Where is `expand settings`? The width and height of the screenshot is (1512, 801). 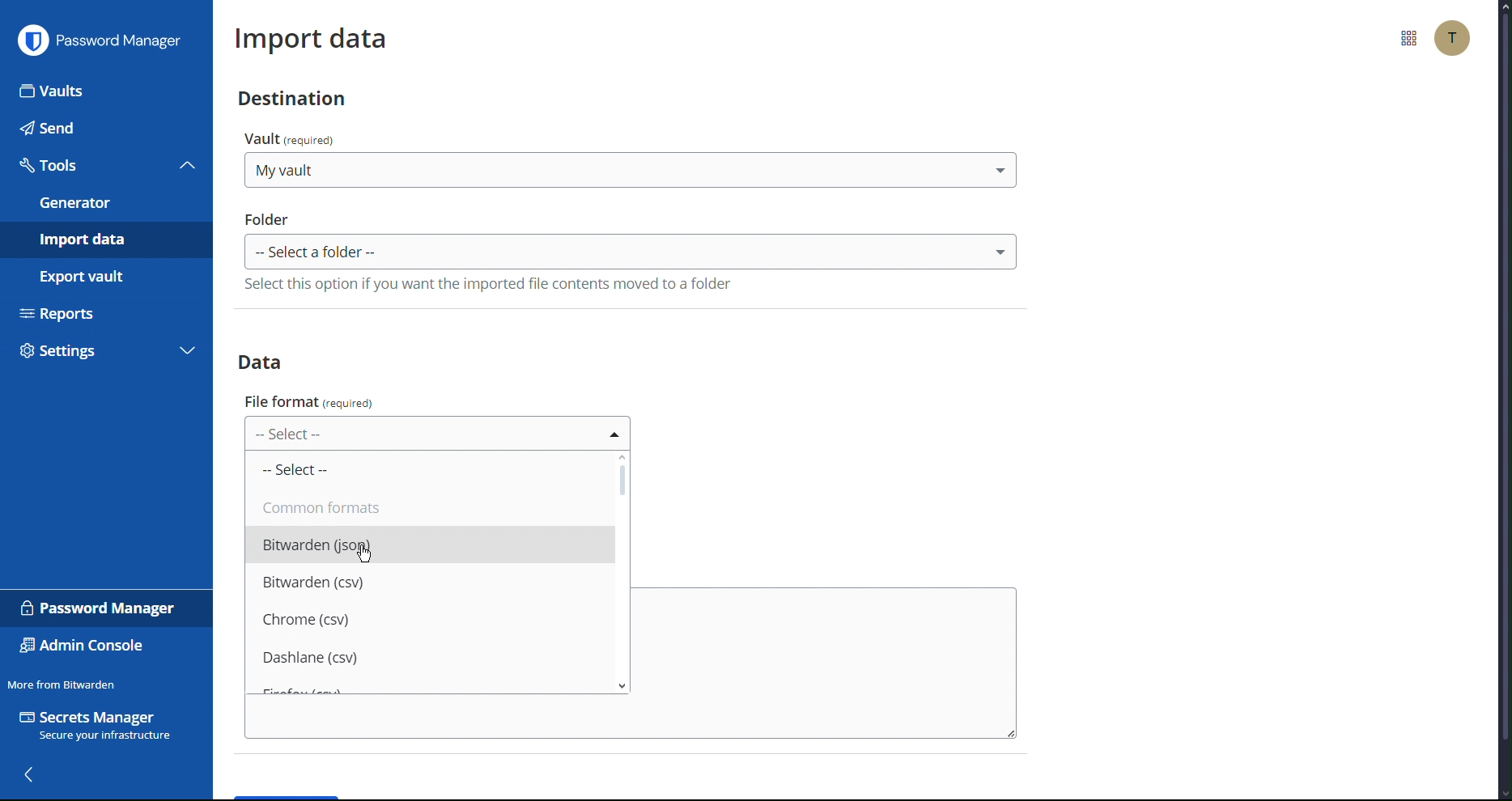 expand settings is located at coordinates (188, 353).